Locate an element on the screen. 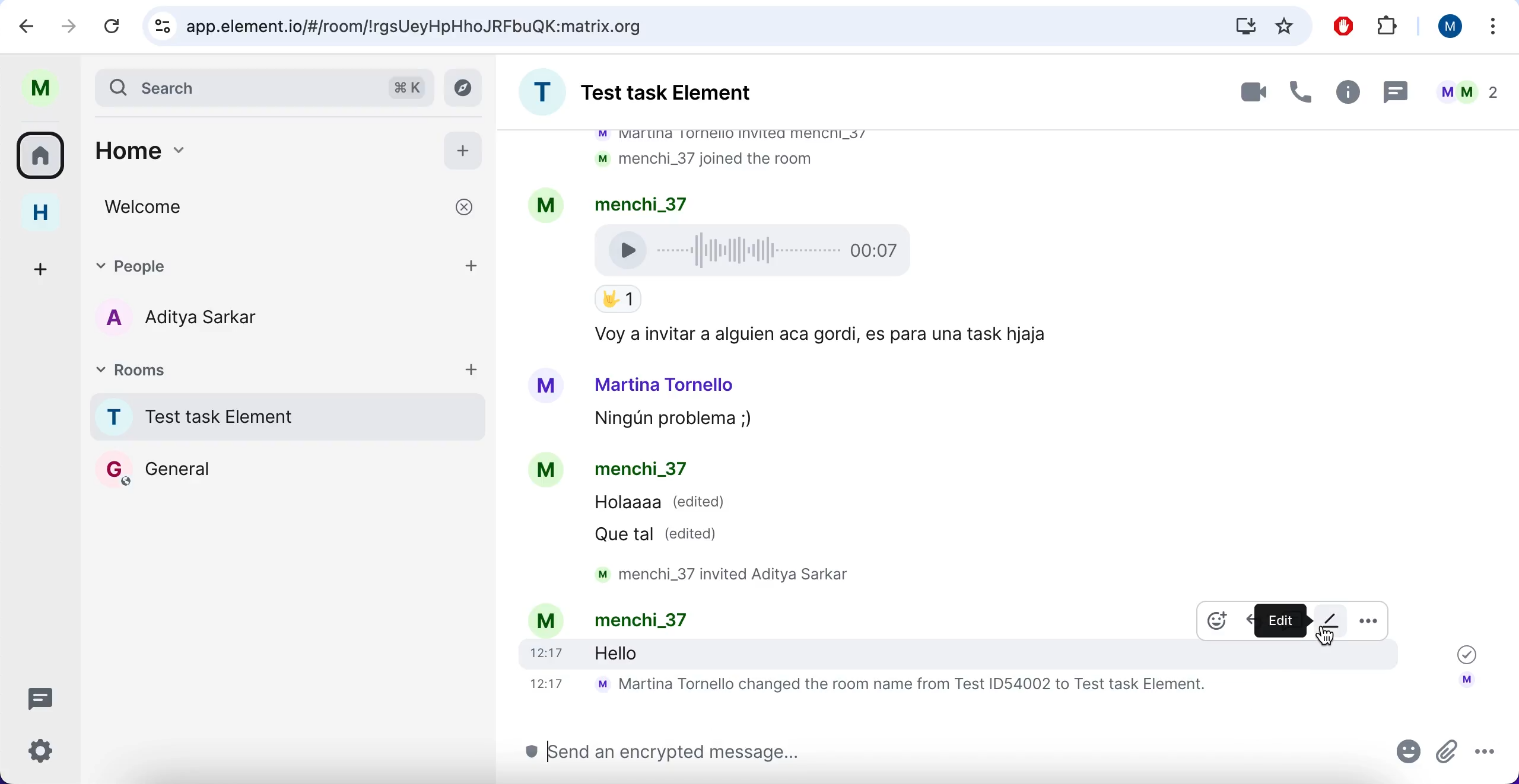 The image size is (1519, 784). forward is located at coordinates (68, 28).